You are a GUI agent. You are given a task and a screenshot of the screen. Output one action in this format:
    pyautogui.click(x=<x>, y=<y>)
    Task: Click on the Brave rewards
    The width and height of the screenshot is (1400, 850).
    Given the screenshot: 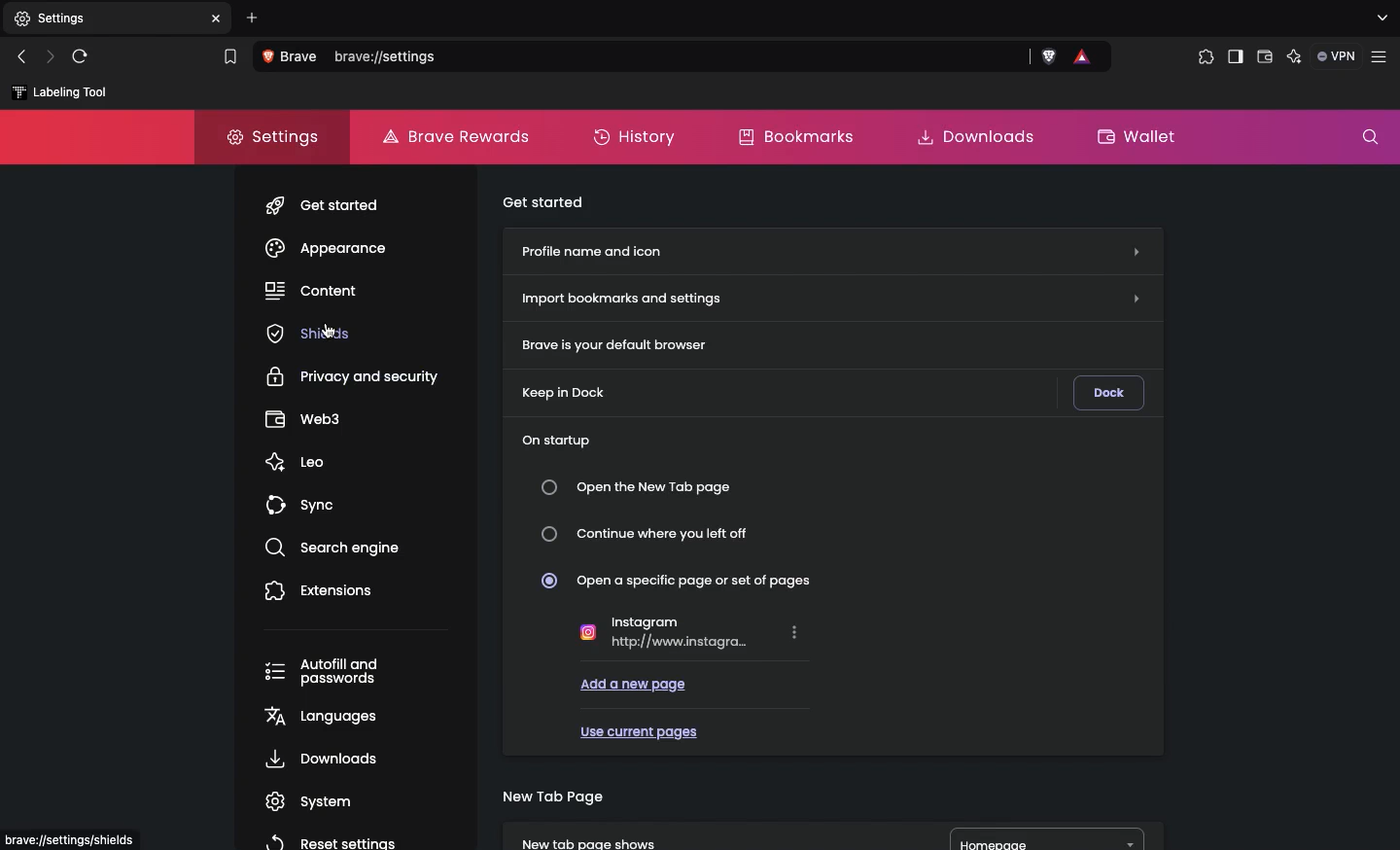 What is the action you would take?
    pyautogui.click(x=456, y=136)
    